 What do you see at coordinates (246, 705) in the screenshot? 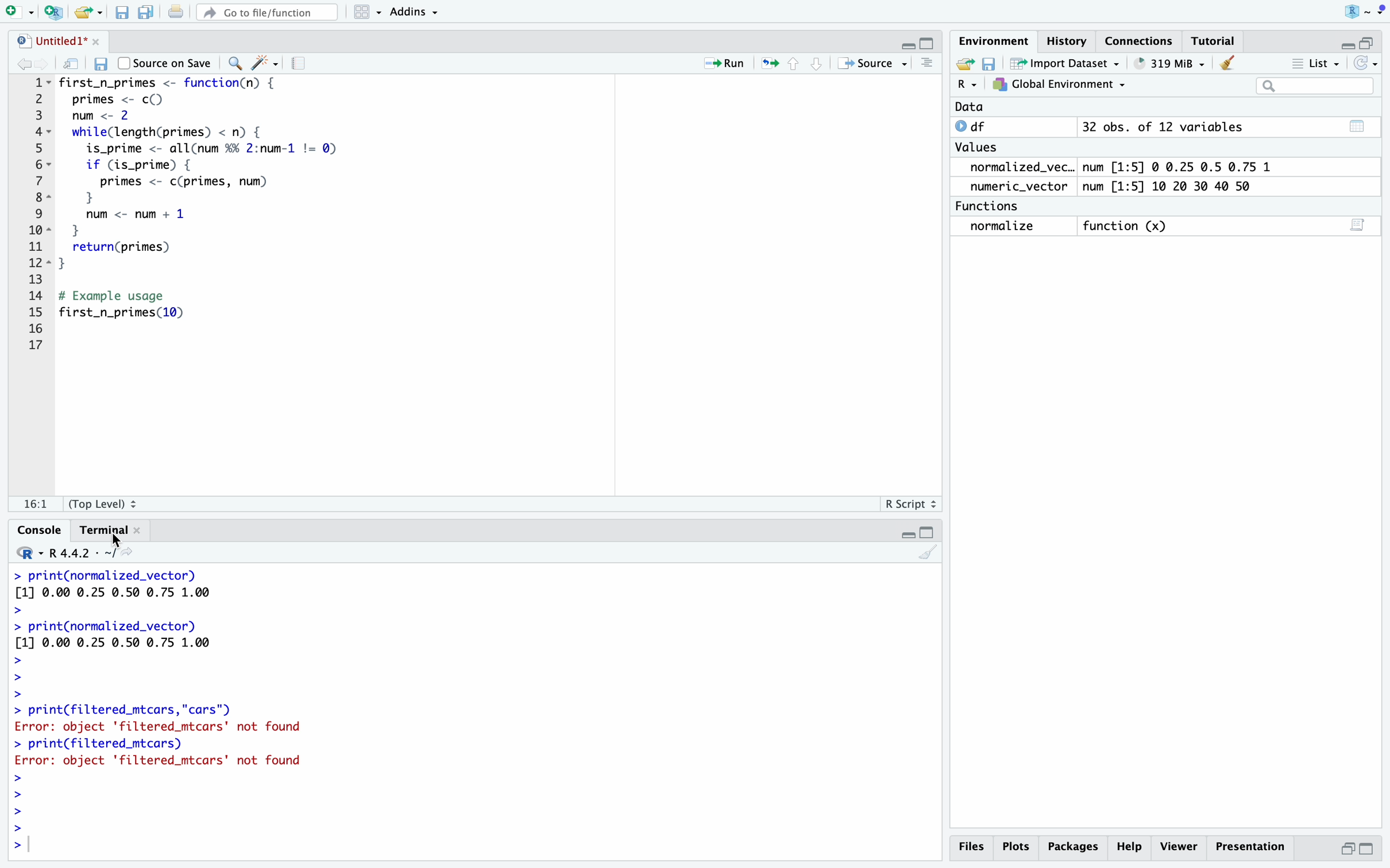
I see `> print(normalized_vector)

[1] 0.00 0.25 0.50 0.75 1.00

>

> print(normalized_vector)

[1] 0.00 0.25 0.50 0.75 1.00

>

>

>

> print(filtered_mtcars,"cars")

Error: object 'filtered_mtcars' not found
> print(filtered_mtcars)

Error: object 'filtered_mtcars' not found
>

>

>

>

>` at bounding box center [246, 705].